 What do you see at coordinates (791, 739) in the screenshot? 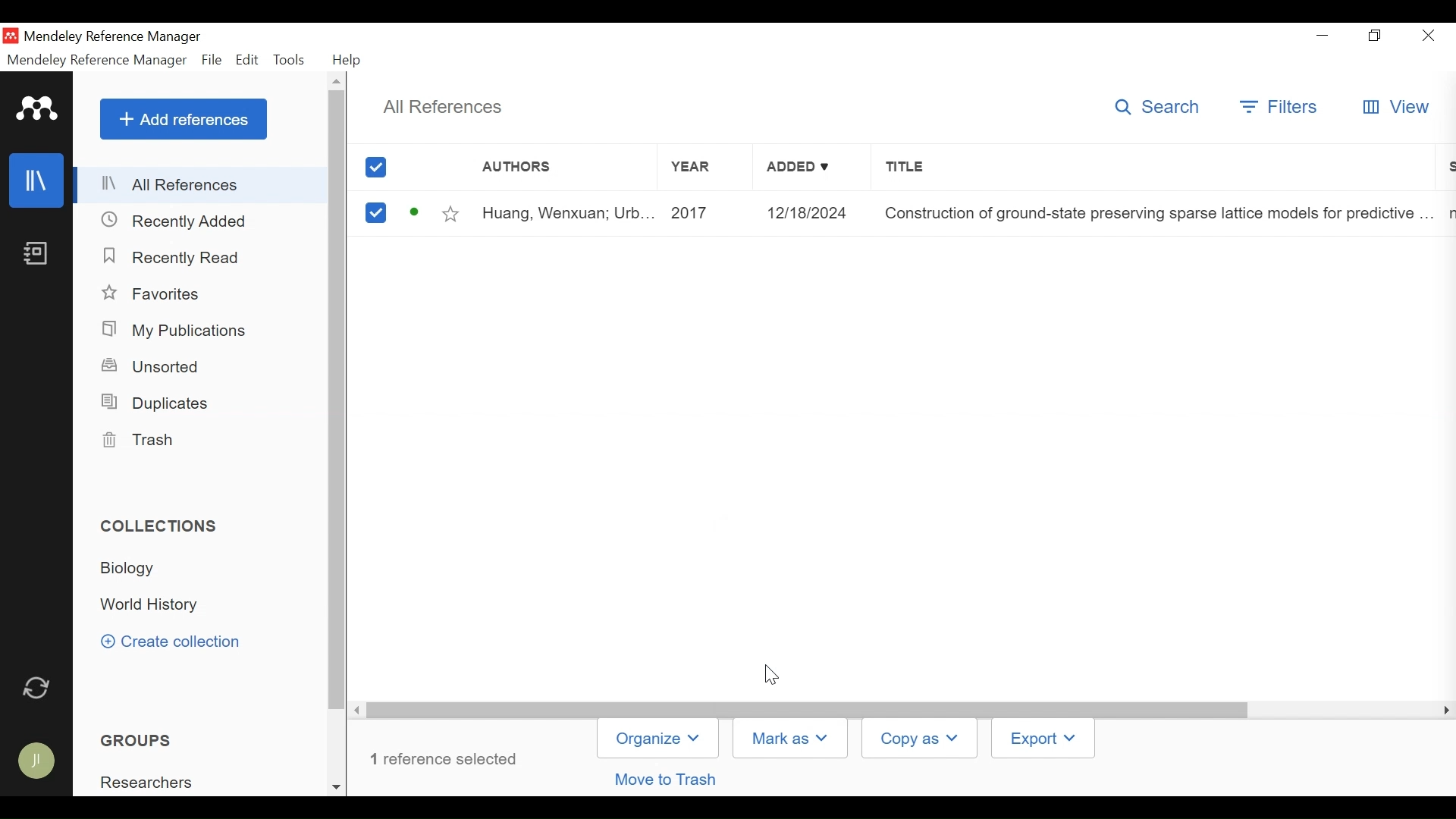
I see `Mark as` at bounding box center [791, 739].